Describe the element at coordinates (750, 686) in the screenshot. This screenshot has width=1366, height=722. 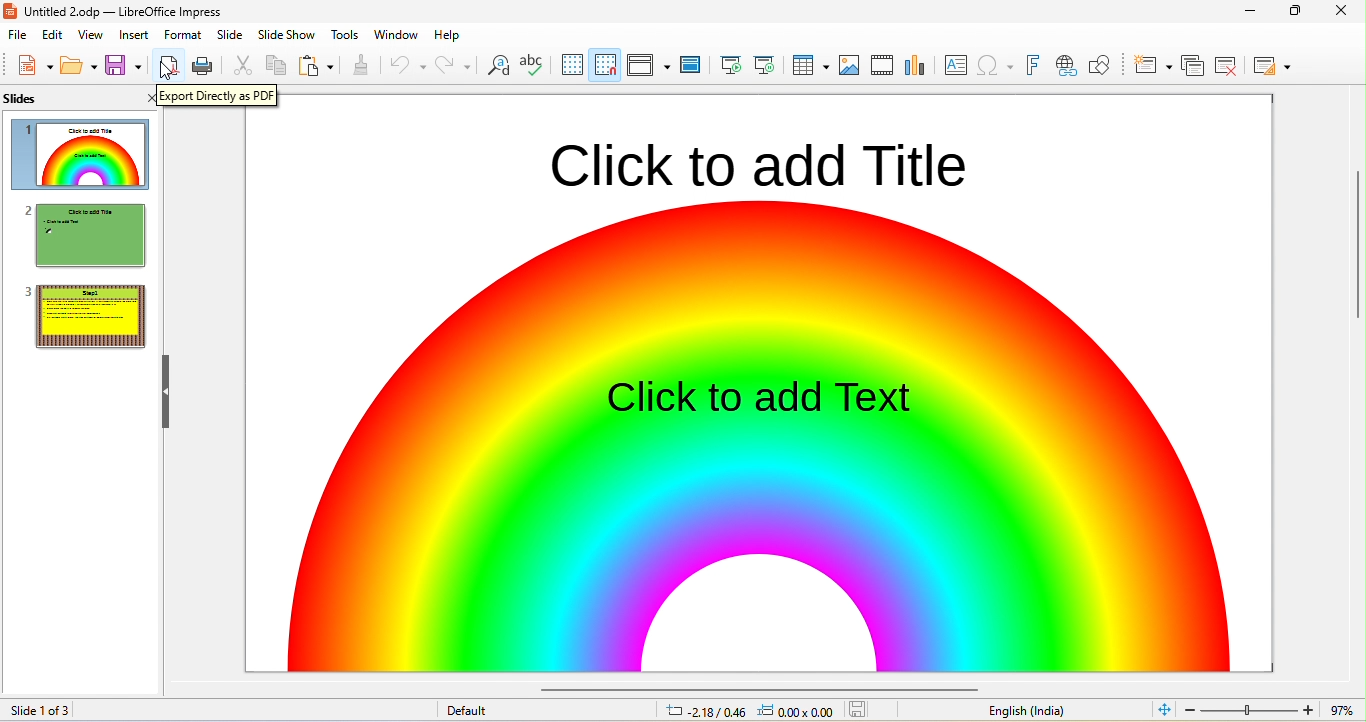
I see `horizontal scroll bar` at that location.